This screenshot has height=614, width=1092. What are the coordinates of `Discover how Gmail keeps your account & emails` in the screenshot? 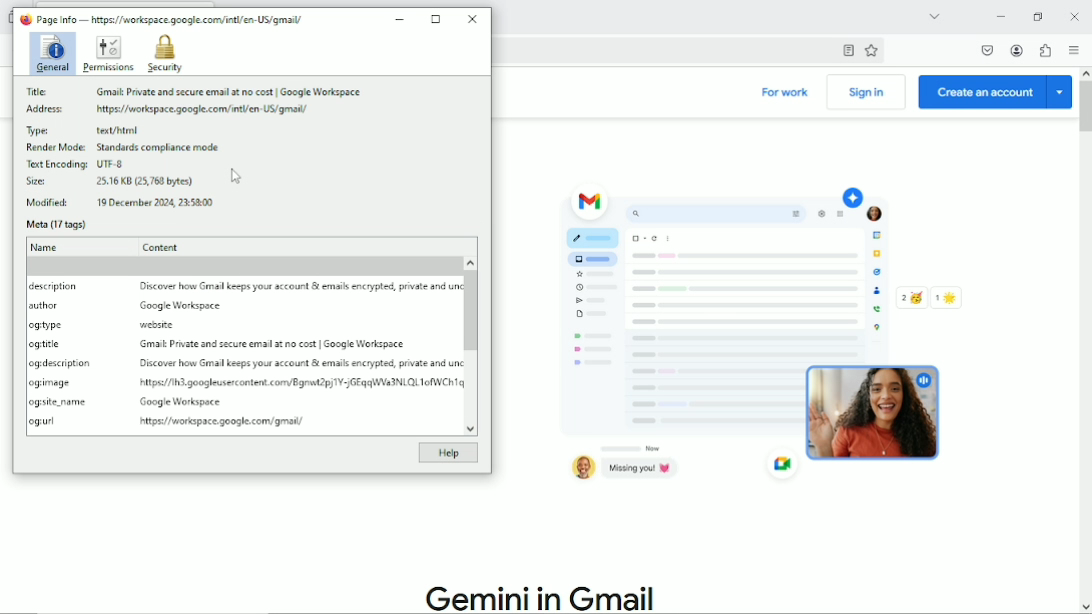 It's located at (296, 287).